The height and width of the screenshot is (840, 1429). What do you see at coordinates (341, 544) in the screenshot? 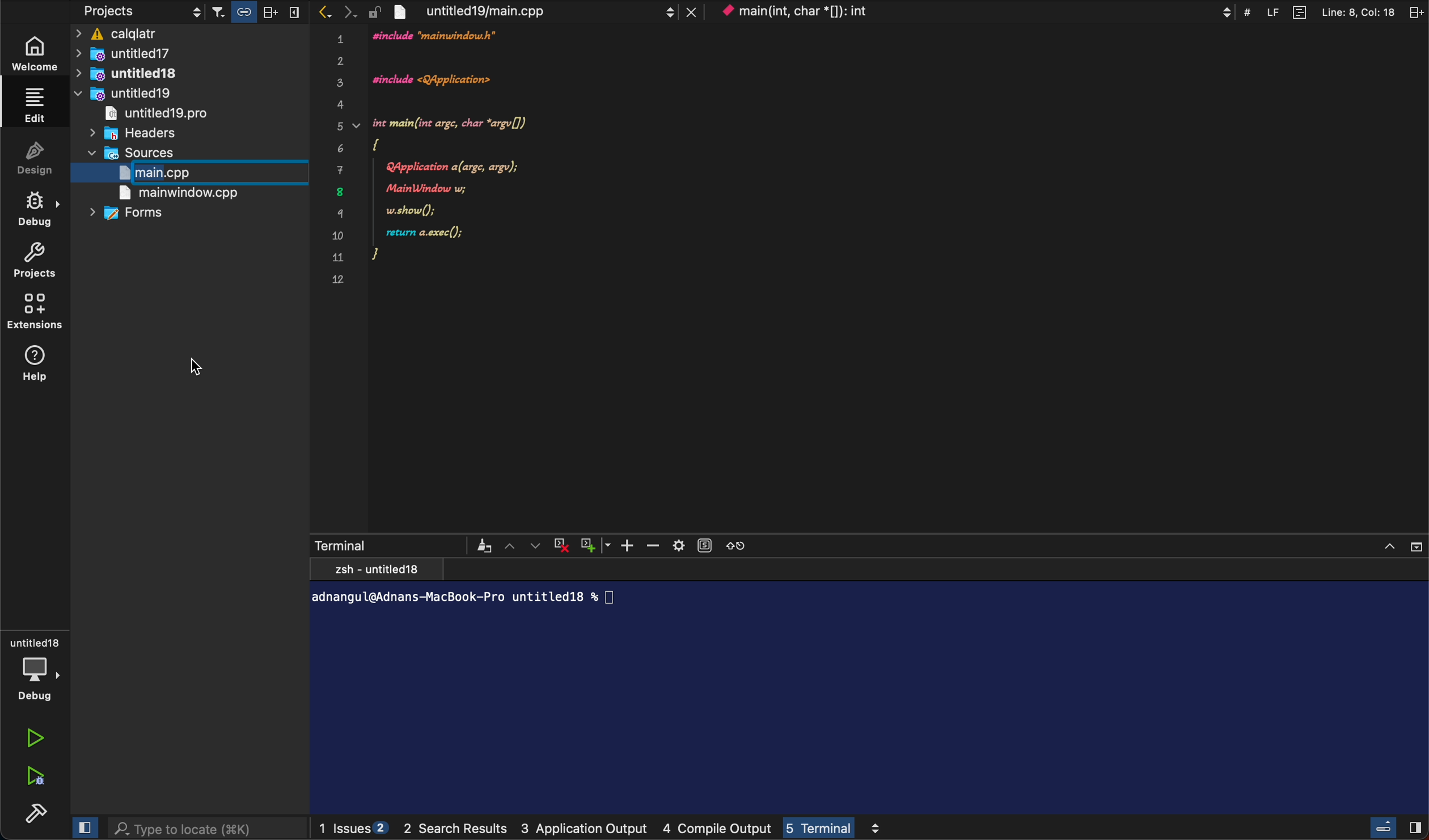
I see `Terminal ` at bounding box center [341, 544].